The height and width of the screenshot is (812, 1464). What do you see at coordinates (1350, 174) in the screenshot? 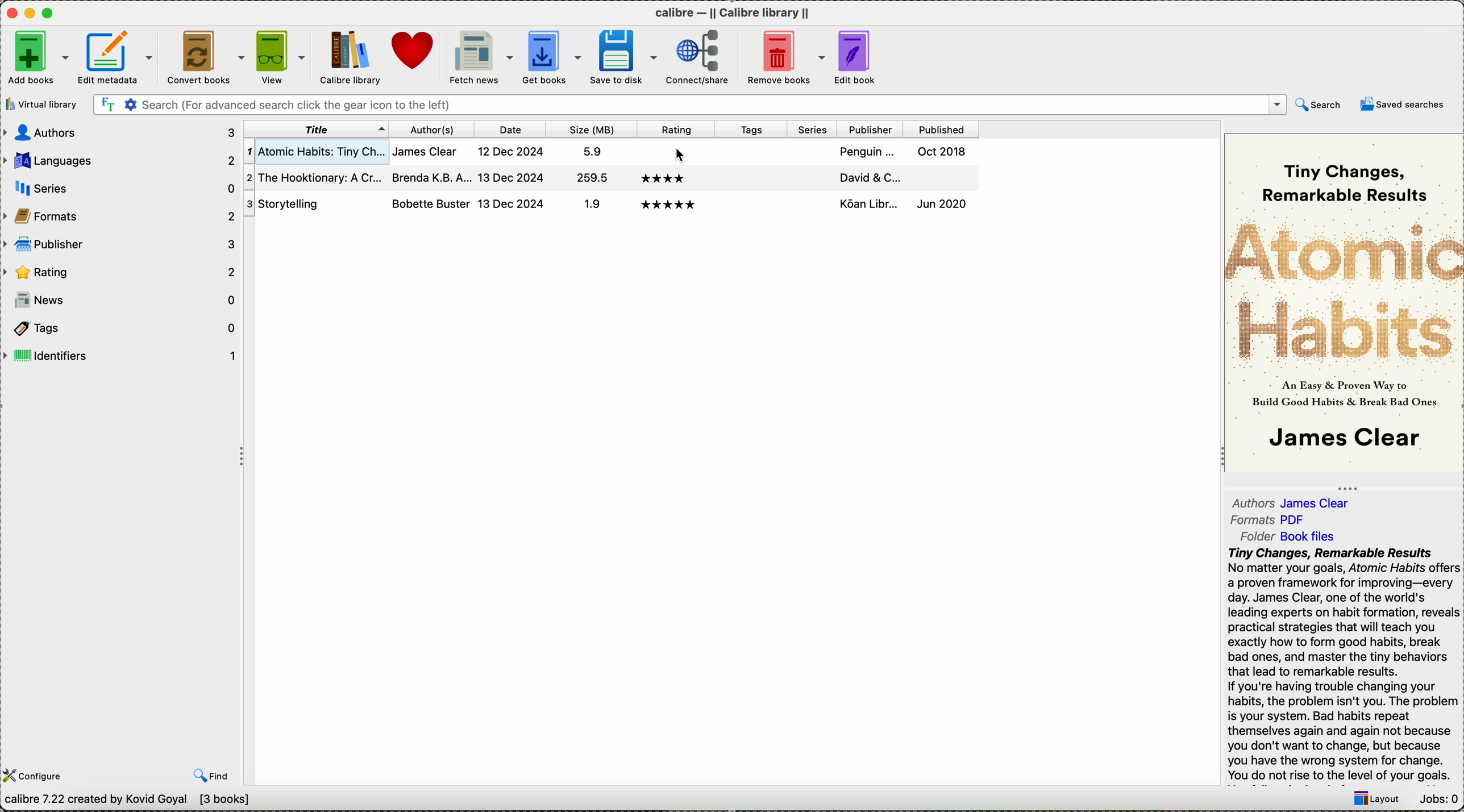
I see `Tiny Changes, Remarkable Results` at bounding box center [1350, 174].